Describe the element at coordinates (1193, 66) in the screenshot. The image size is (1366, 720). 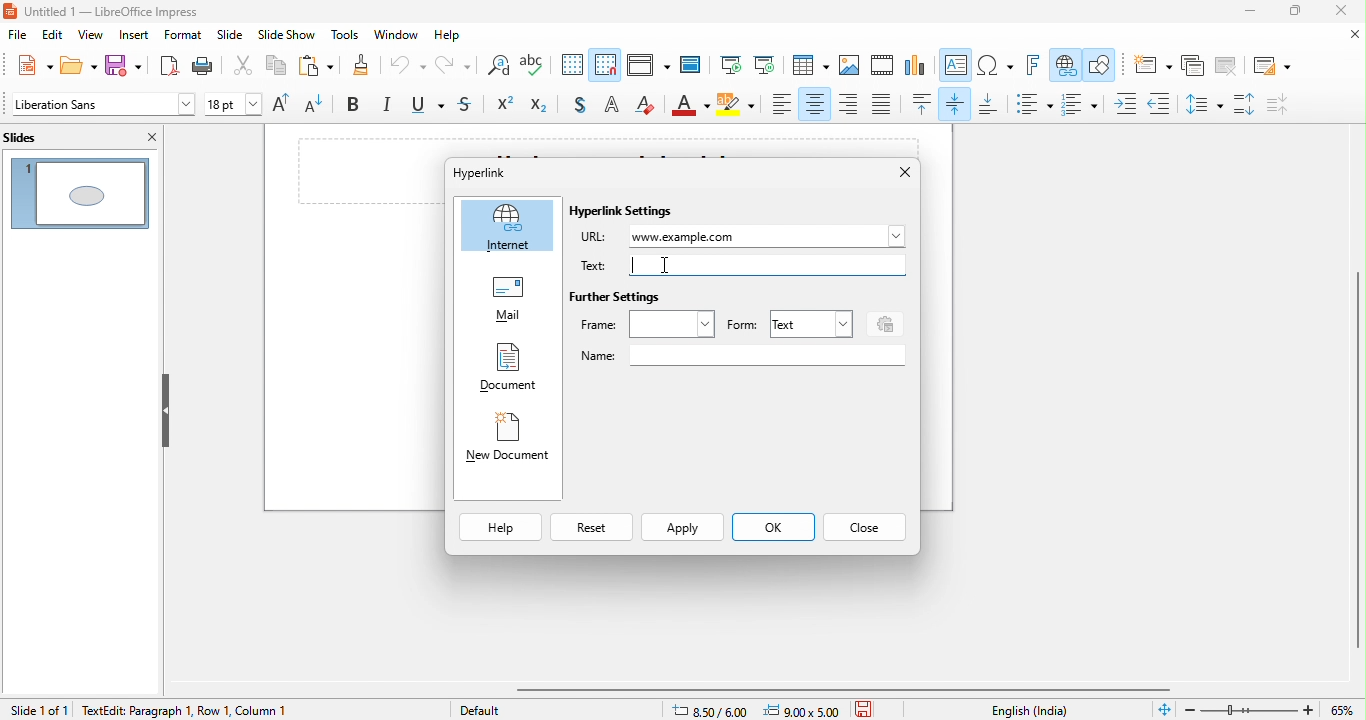
I see `duplicate slide` at that location.